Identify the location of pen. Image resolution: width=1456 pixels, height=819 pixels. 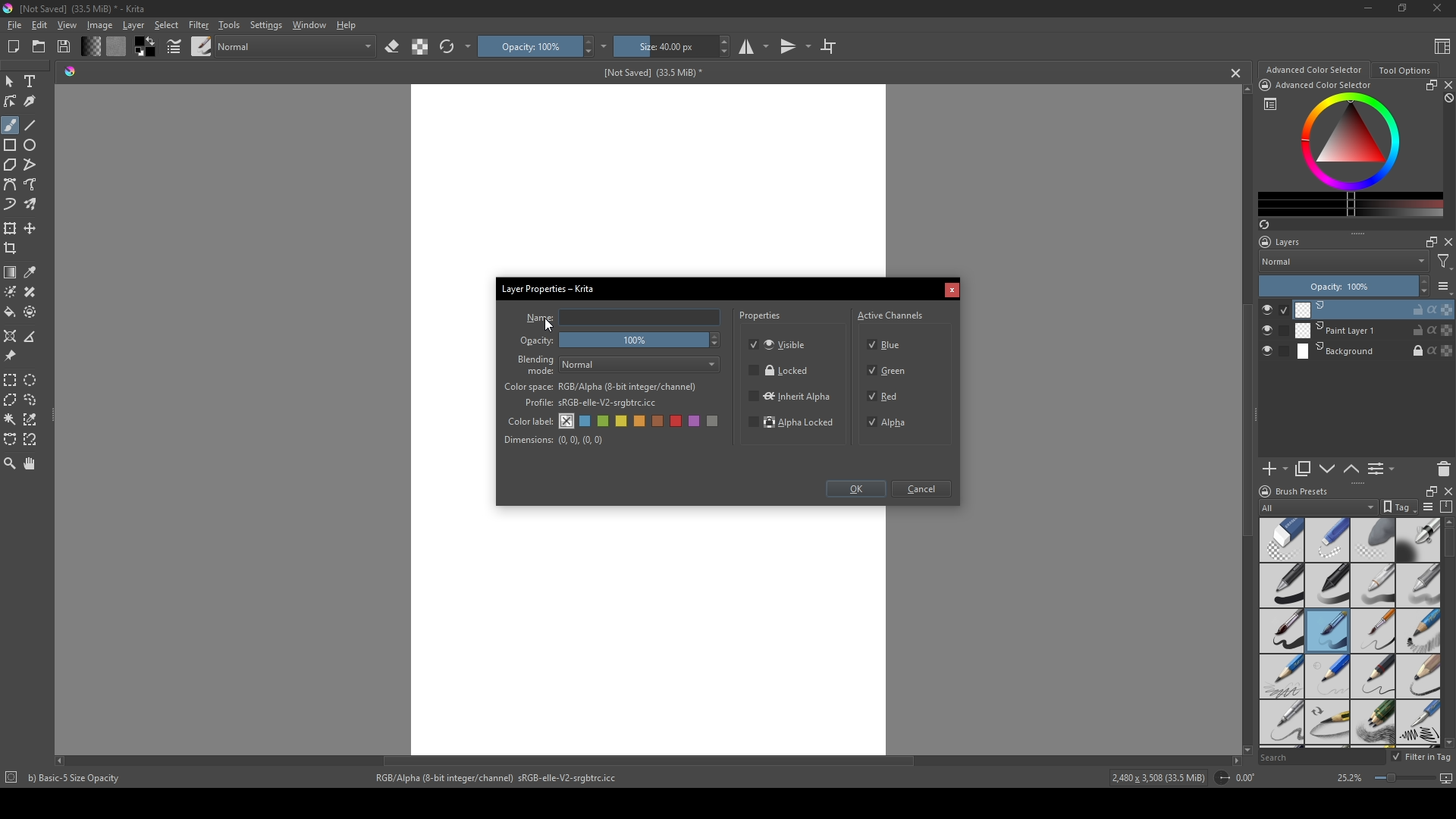
(1281, 586).